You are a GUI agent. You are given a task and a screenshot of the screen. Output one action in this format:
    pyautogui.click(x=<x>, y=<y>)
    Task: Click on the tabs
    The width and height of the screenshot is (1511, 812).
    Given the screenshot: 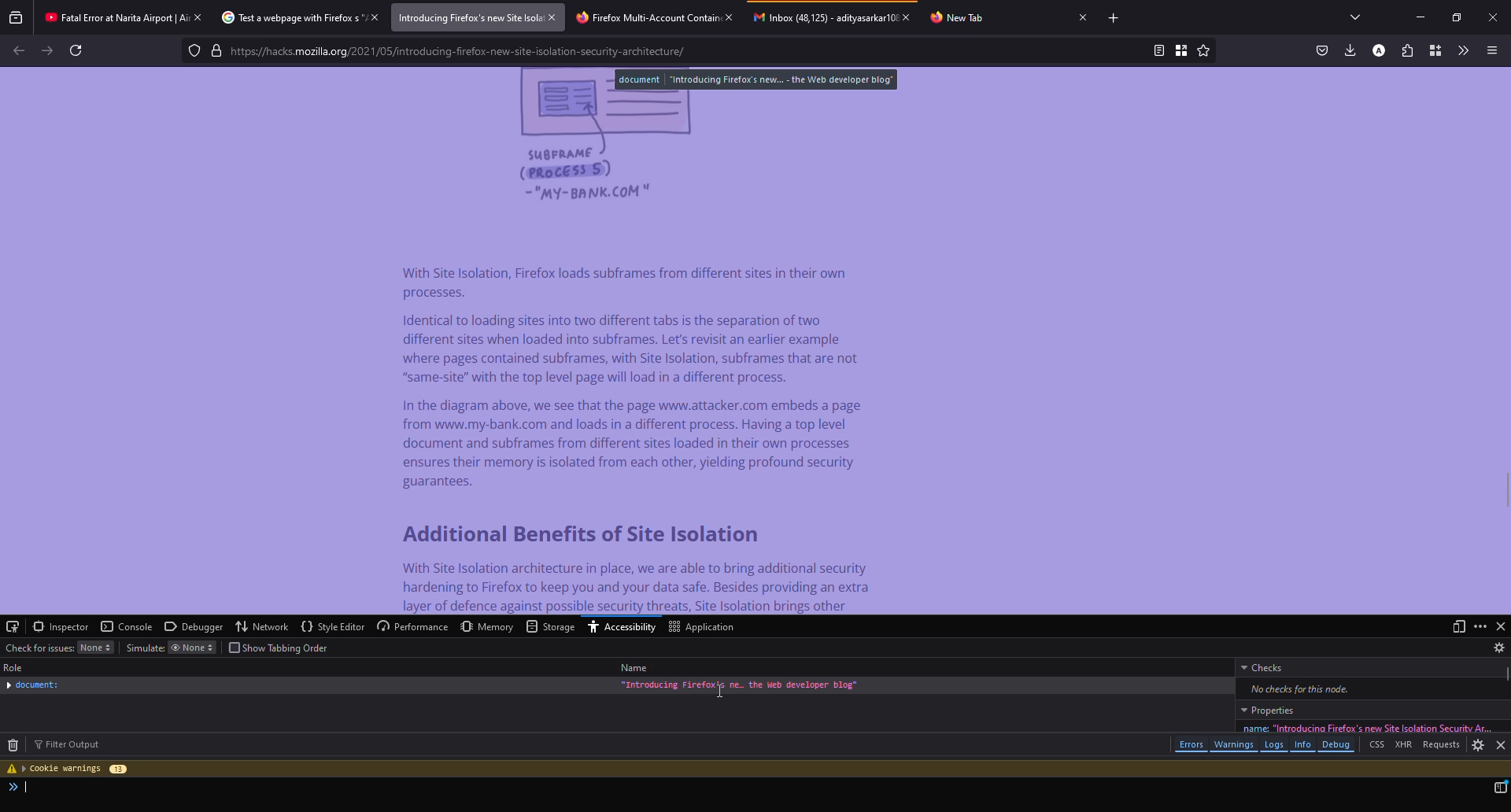 What is the action you would take?
    pyautogui.click(x=1356, y=17)
    